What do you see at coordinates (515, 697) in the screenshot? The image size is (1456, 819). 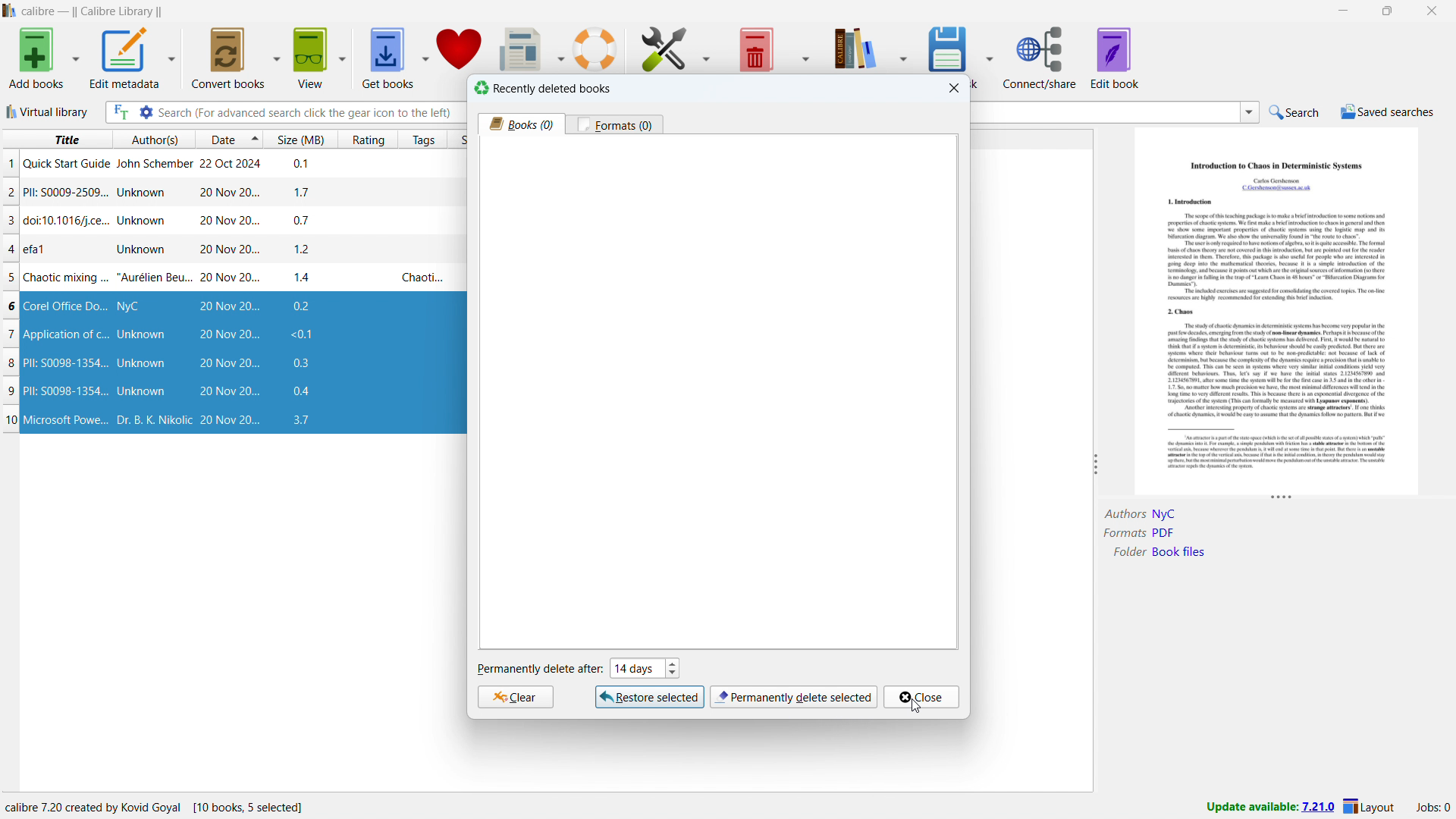 I see `clear` at bounding box center [515, 697].